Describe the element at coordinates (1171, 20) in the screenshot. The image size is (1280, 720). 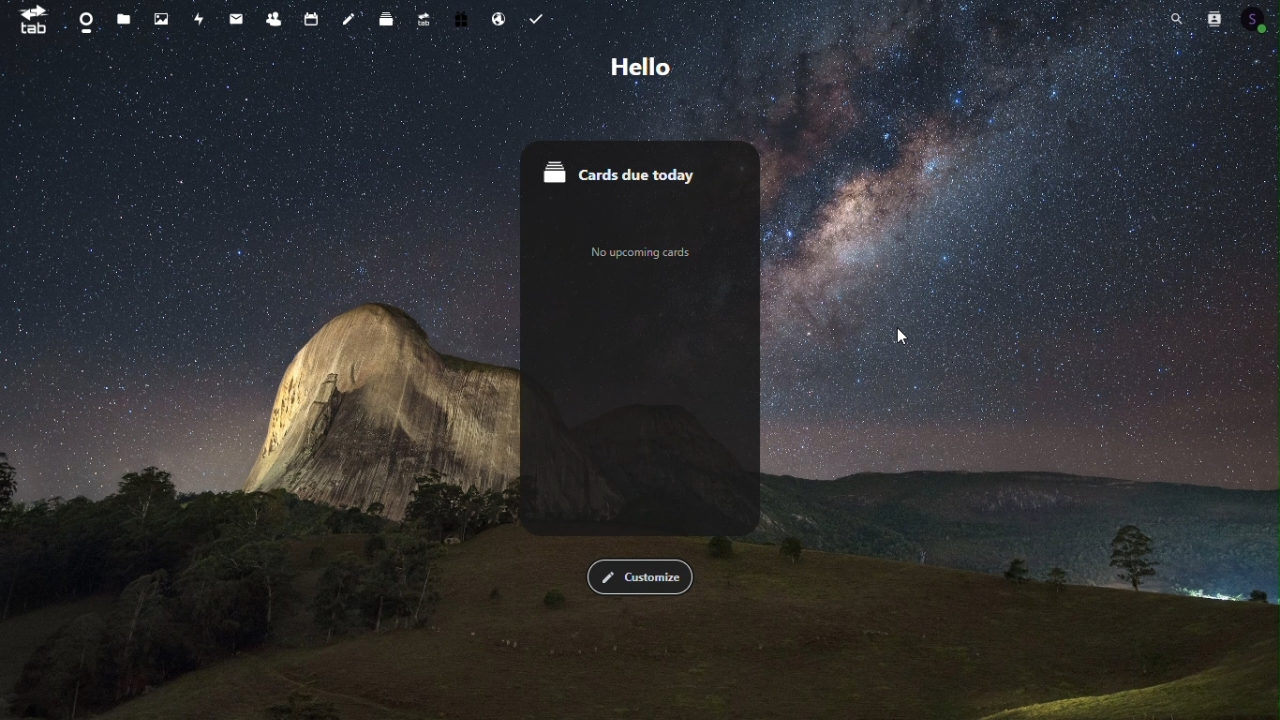
I see `Search` at that location.